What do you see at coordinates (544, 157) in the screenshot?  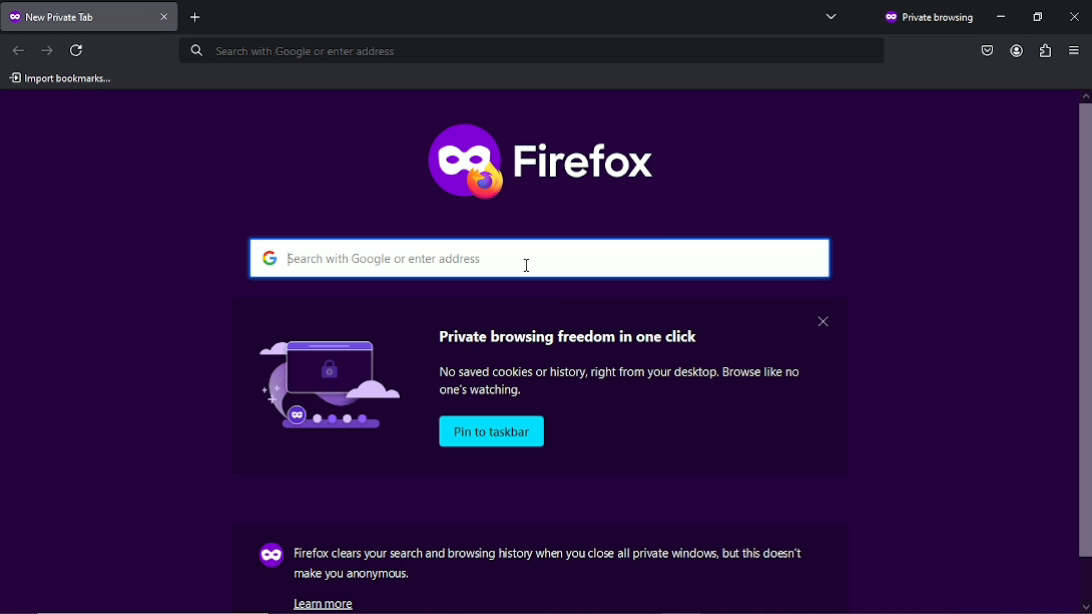 I see `firefox` at bounding box center [544, 157].